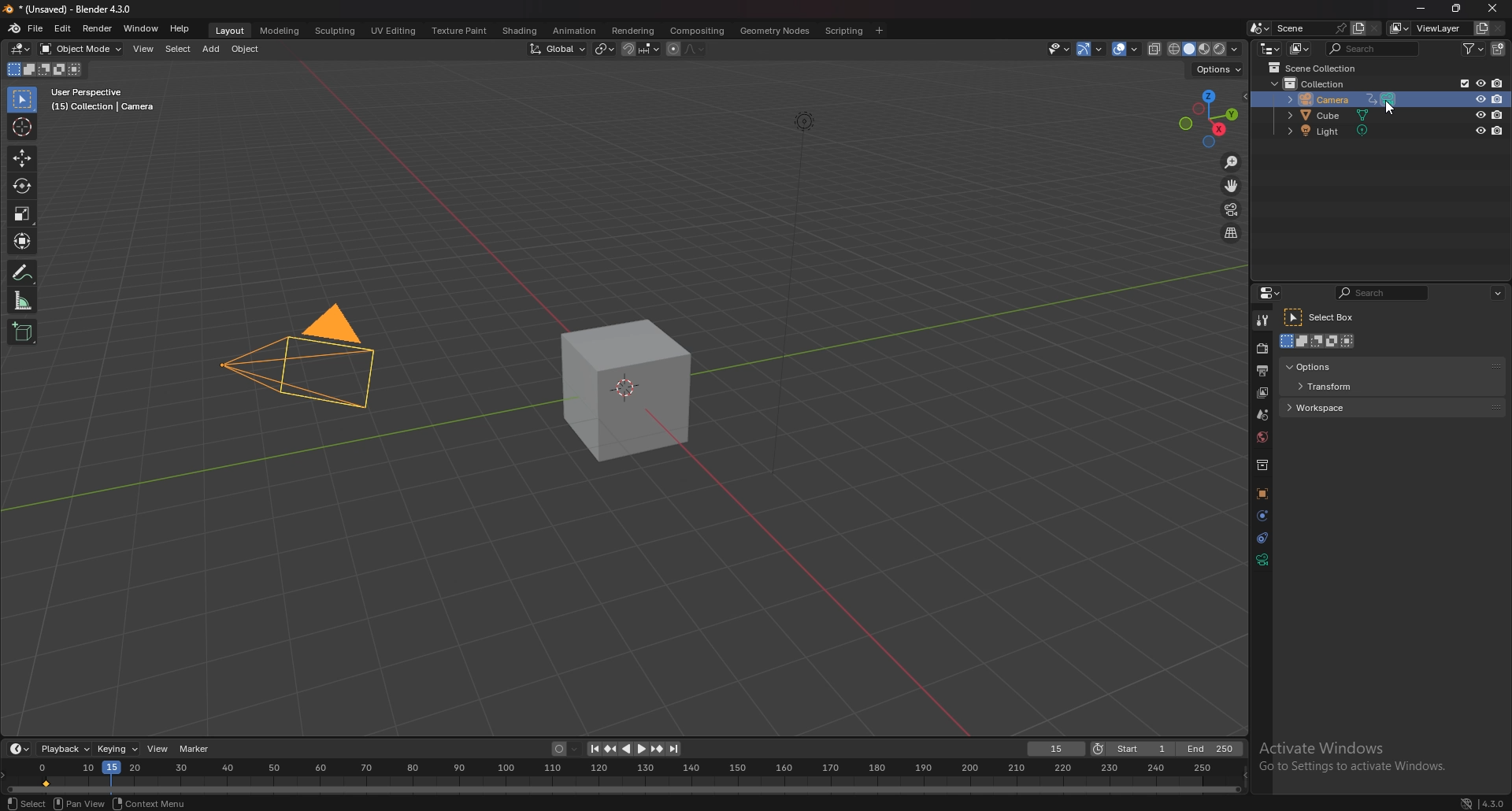  I want to click on toggle xray, so click(1155, 49).